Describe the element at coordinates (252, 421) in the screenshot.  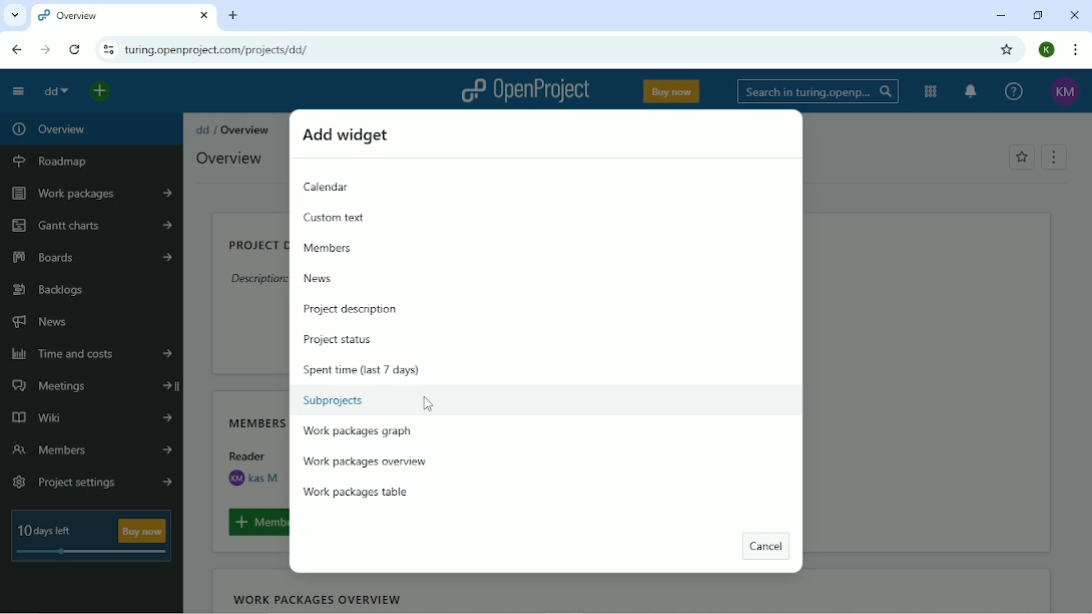
I see `Members` at that location.